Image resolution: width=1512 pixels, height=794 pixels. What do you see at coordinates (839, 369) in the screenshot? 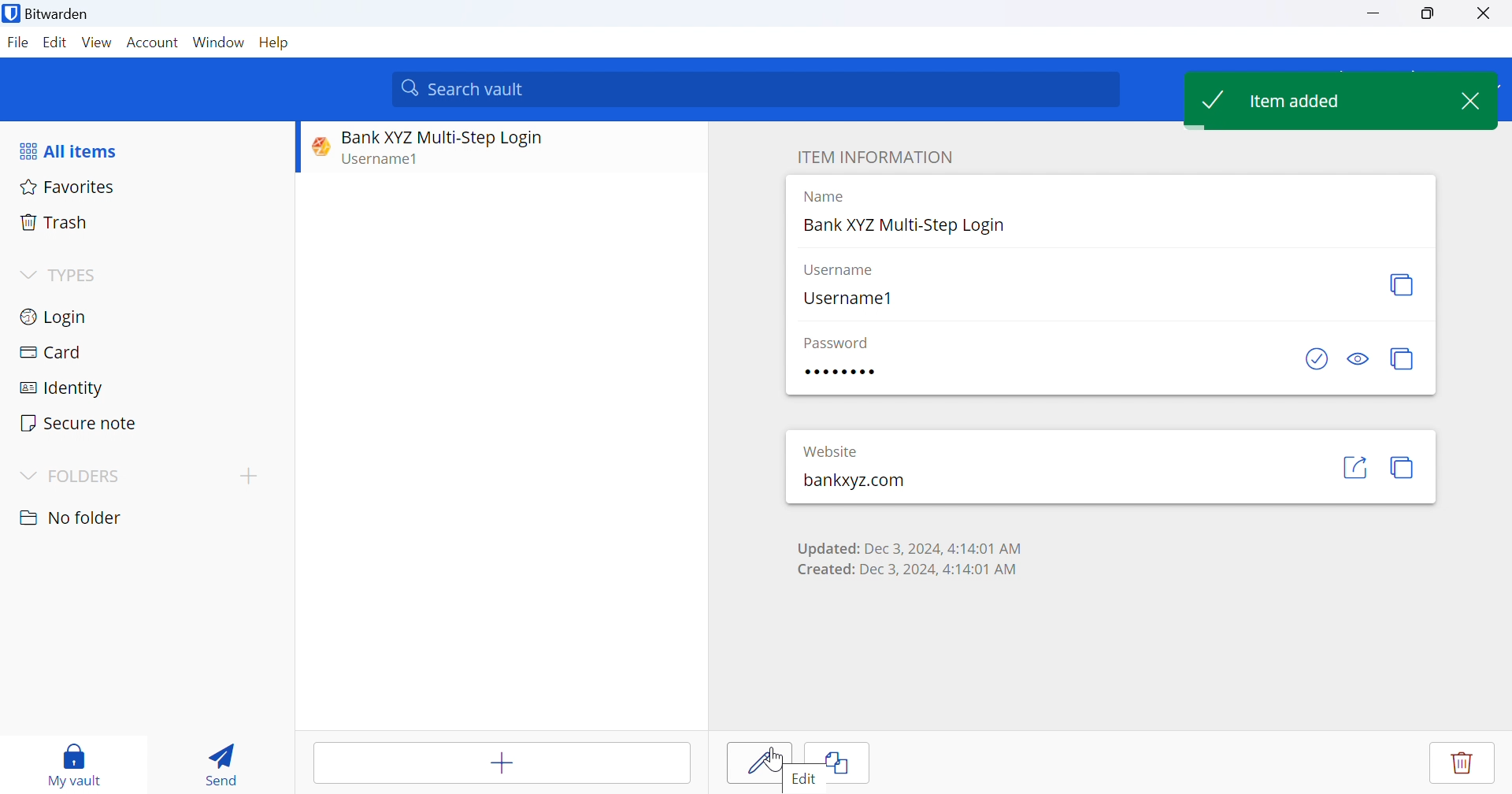
I see `Password` at bounding box center [839, 369].